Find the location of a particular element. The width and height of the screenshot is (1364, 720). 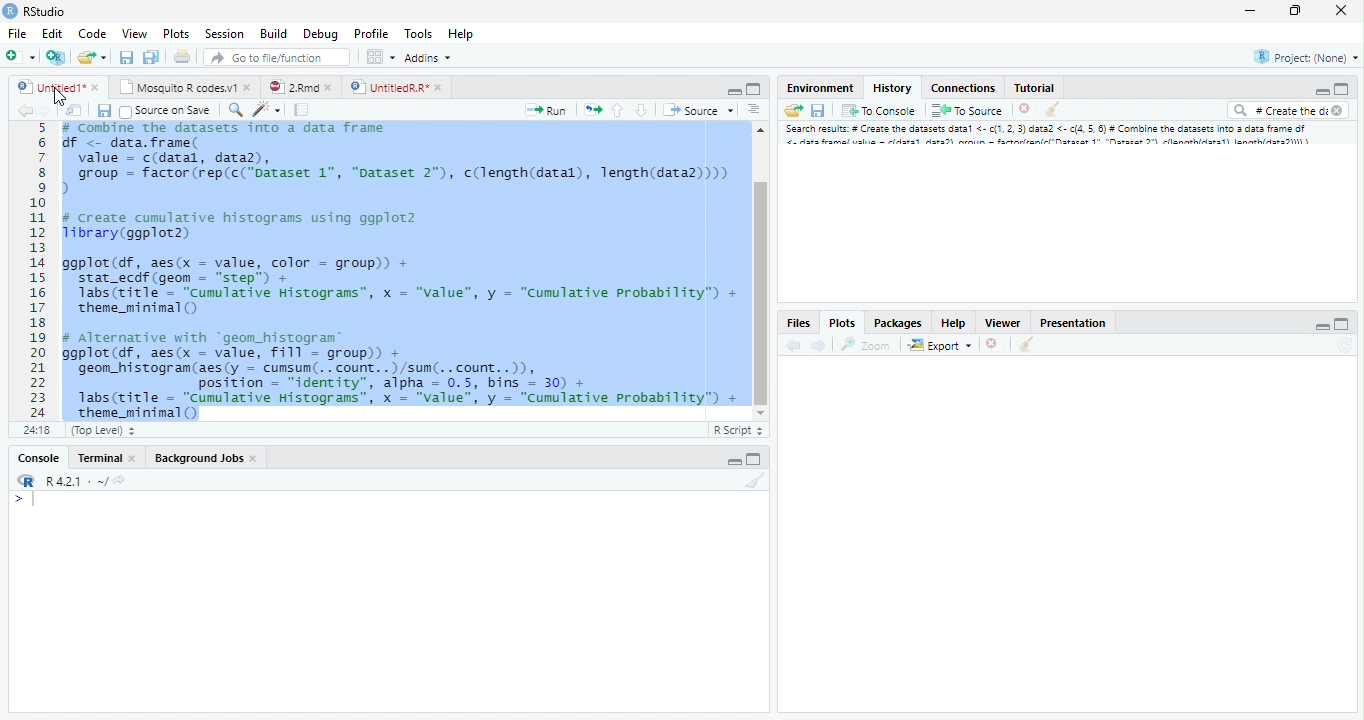

Untitled is located at coordinates (61, 85).